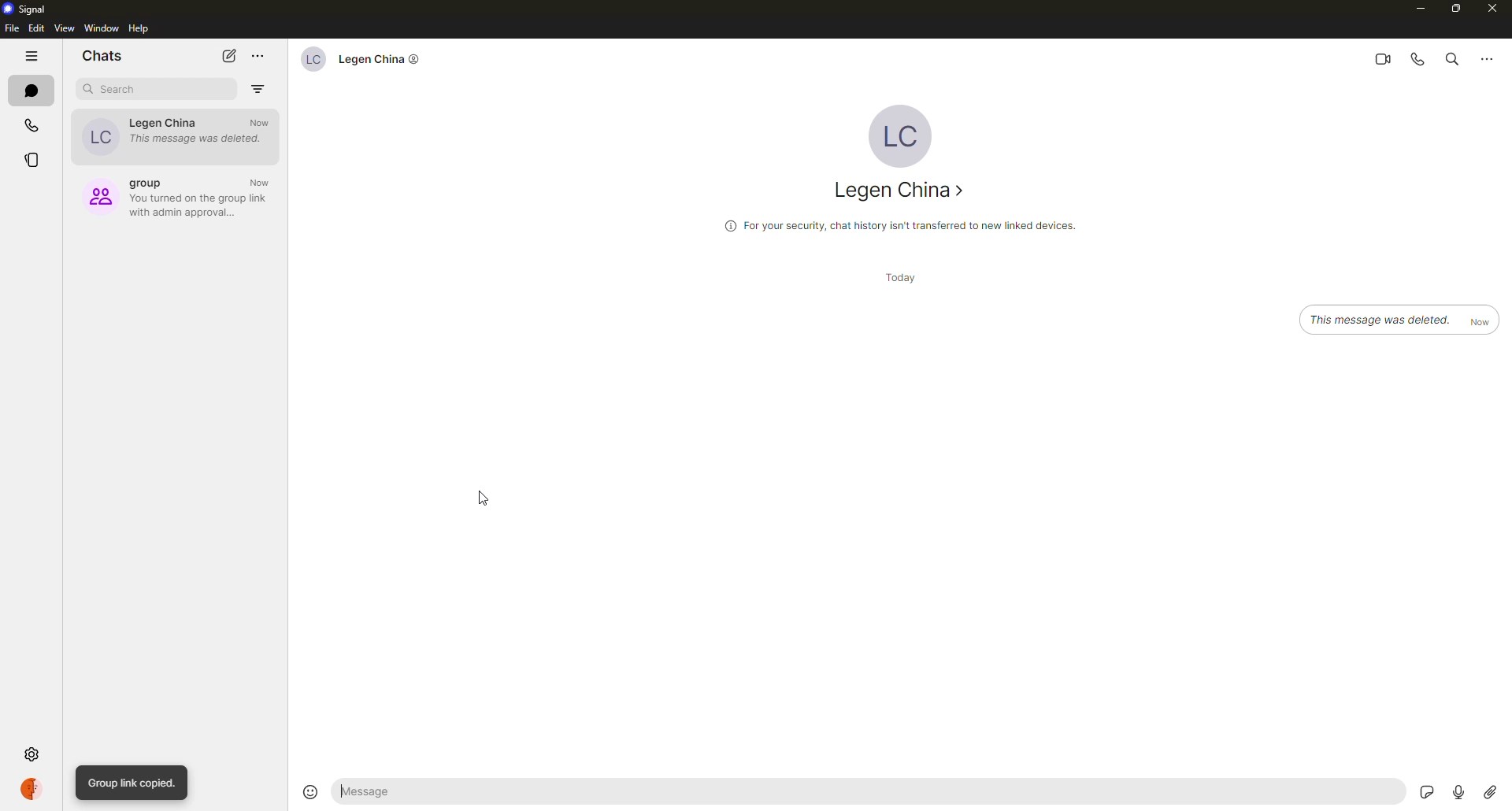 This screenshot has width=1512, height=811. Describe the element at coordinates (357, 58) in the screenshot. I see `contact` at that location.